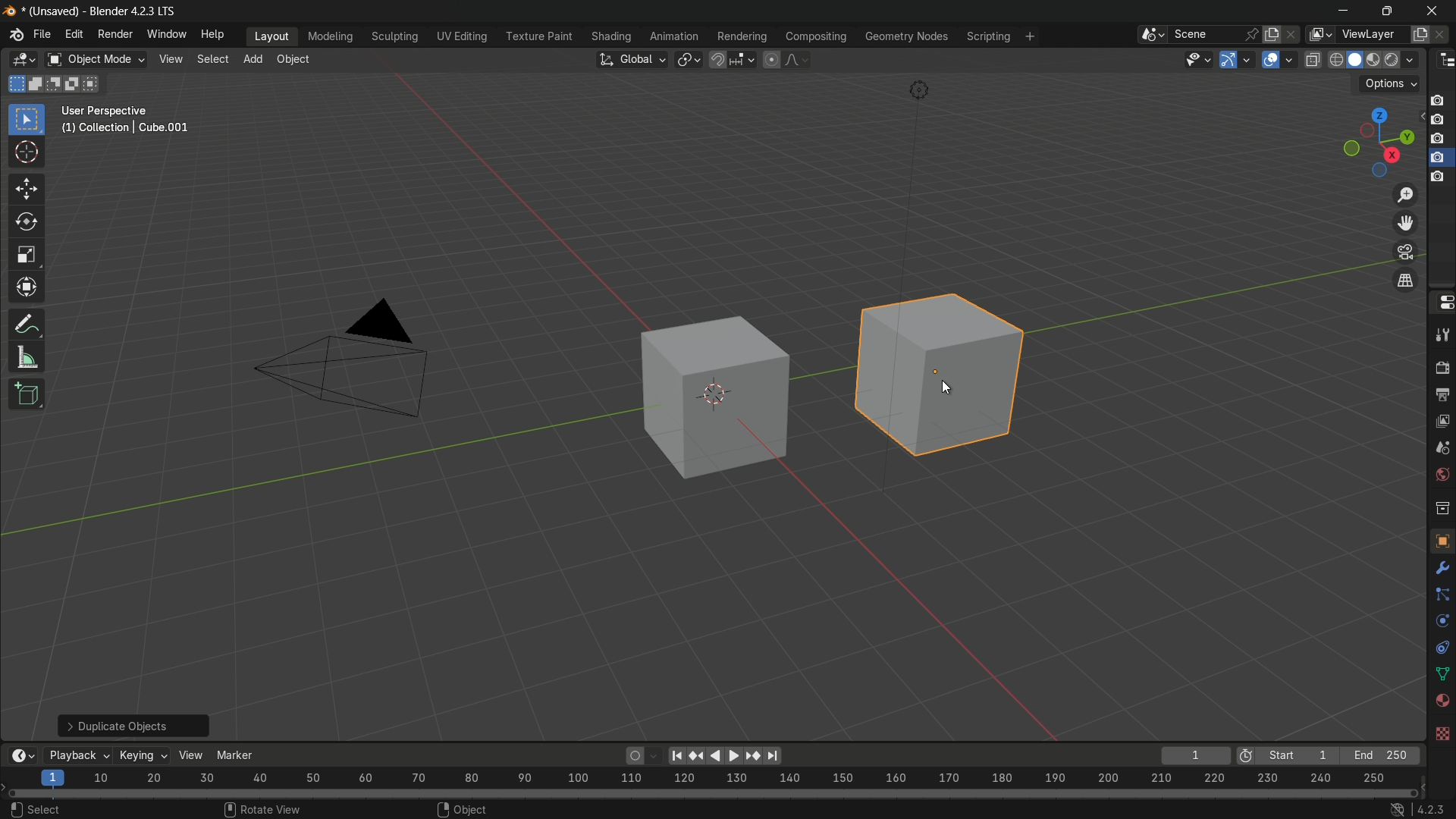 This screenshot has width=1456, height=819. I want to click on material, so click(1442, 701).